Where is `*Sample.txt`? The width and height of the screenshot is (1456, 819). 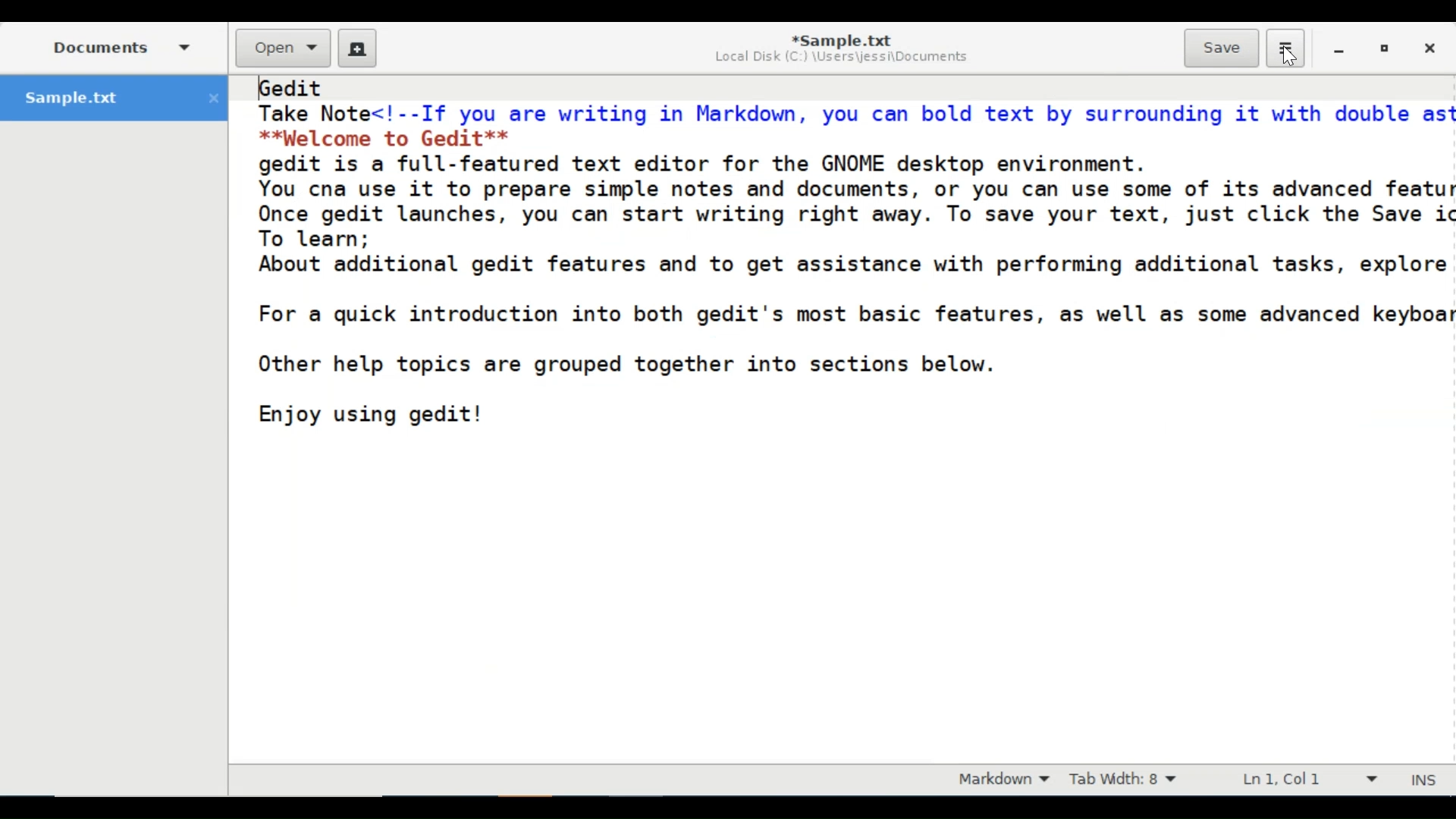
*Sample.txt is located at coordinates (840, 39).